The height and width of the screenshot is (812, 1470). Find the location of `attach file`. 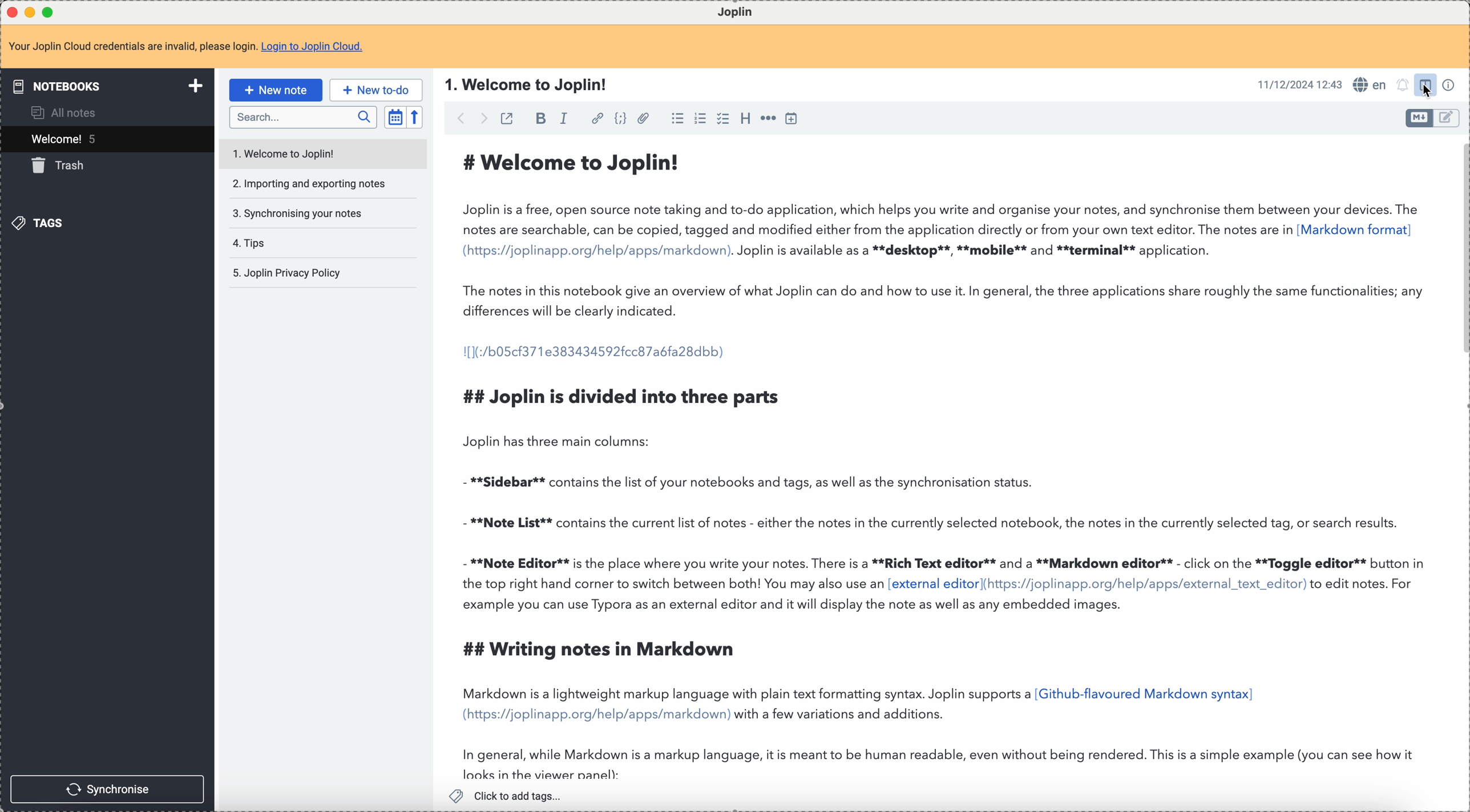

attach file is located at coordinates (644, 118).